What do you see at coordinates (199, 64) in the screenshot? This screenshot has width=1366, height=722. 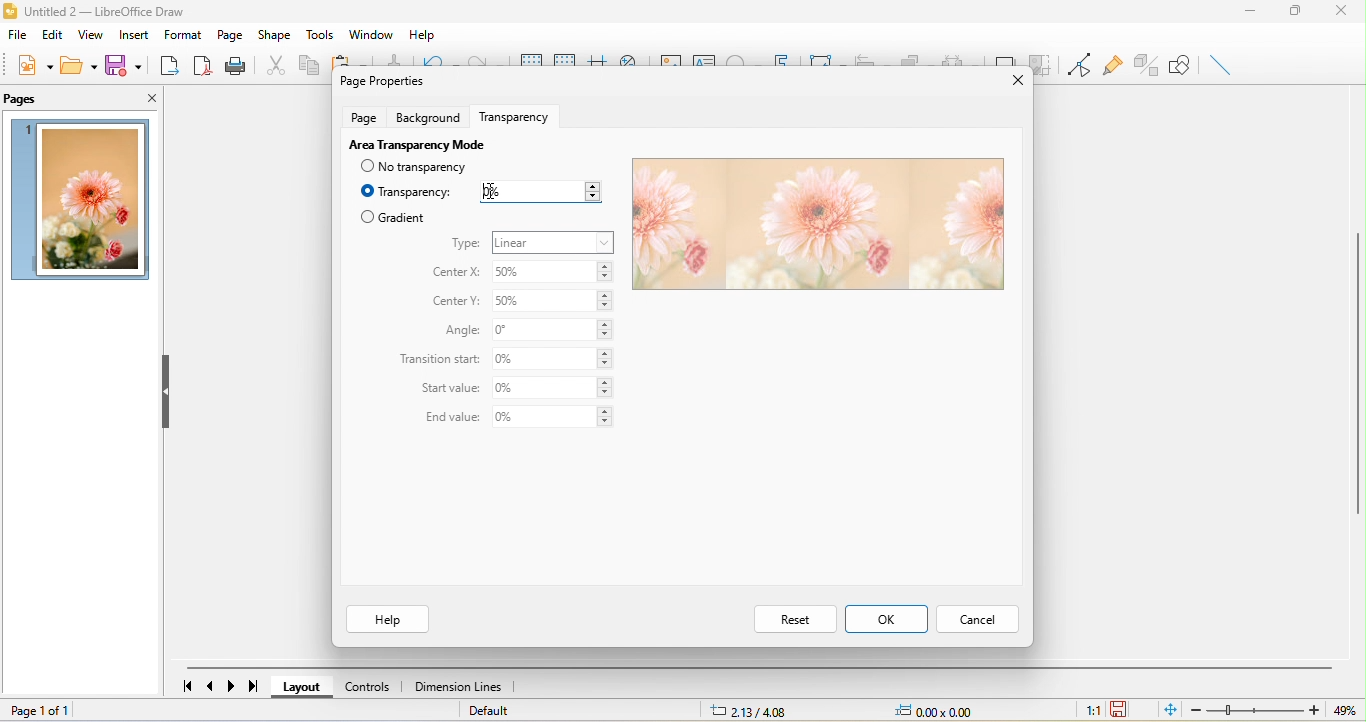 I see `export directly as pdf` at bounding box center [199, 64].